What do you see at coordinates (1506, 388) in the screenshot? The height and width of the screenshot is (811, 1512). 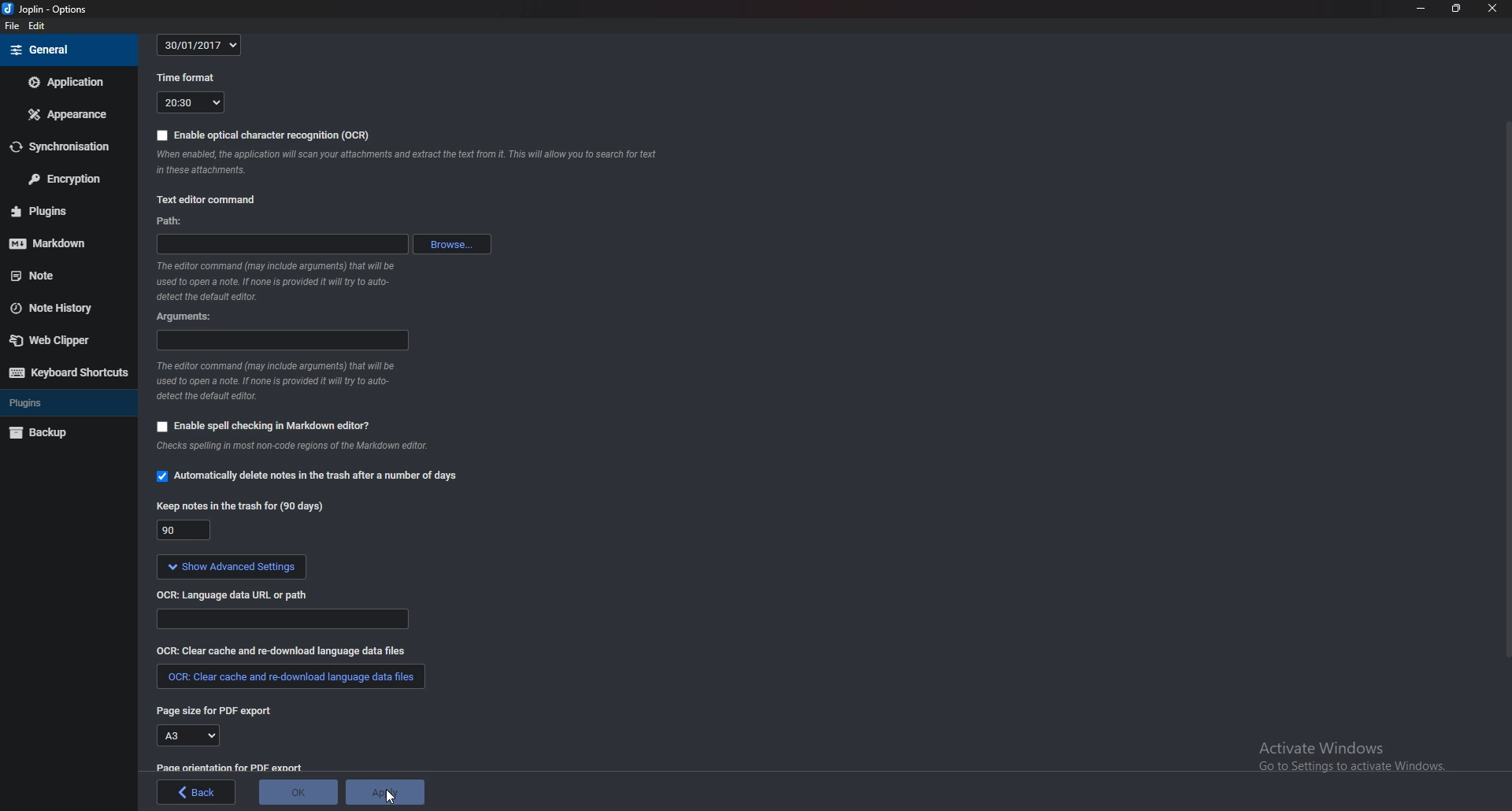 I see `Scroll bar` at bounding box center [1506, 388].